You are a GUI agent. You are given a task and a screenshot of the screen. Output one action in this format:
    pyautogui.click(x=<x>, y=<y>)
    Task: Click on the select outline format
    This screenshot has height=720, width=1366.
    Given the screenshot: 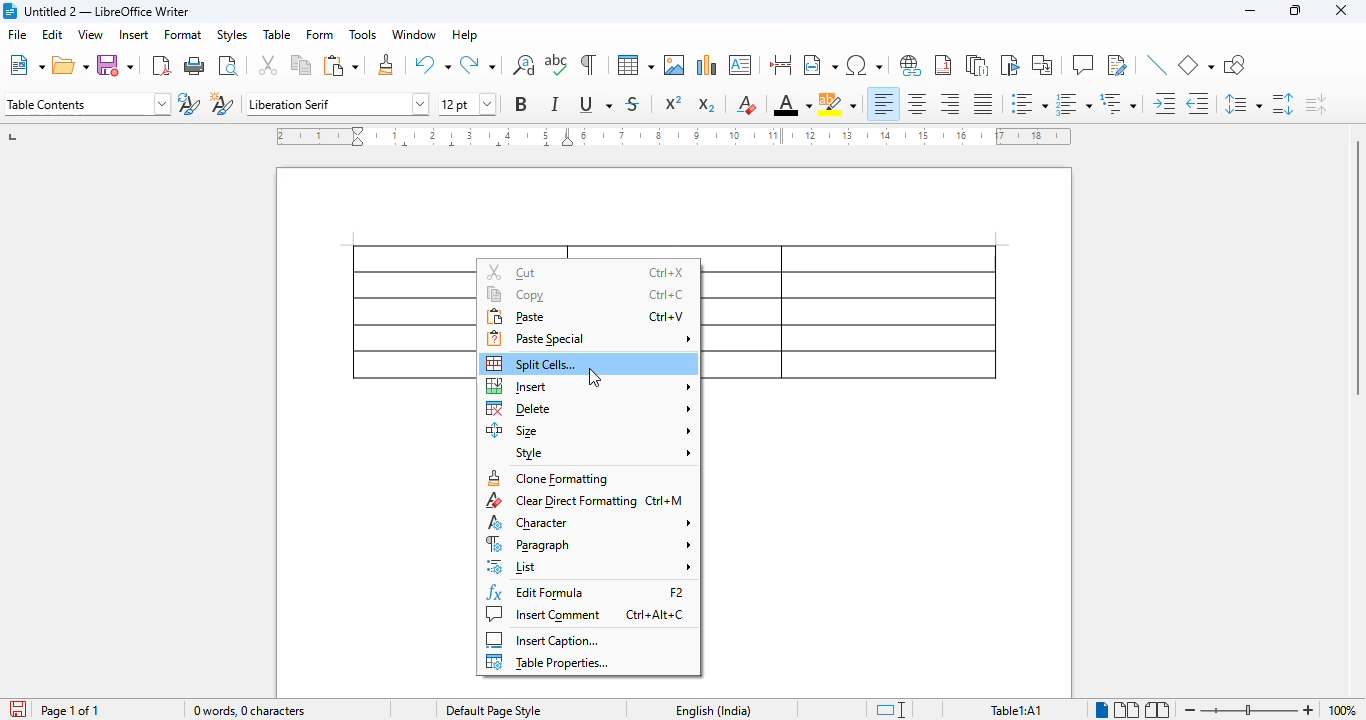 What is the action you would take?
    pyautogui.click(x=1119, y=103)
    